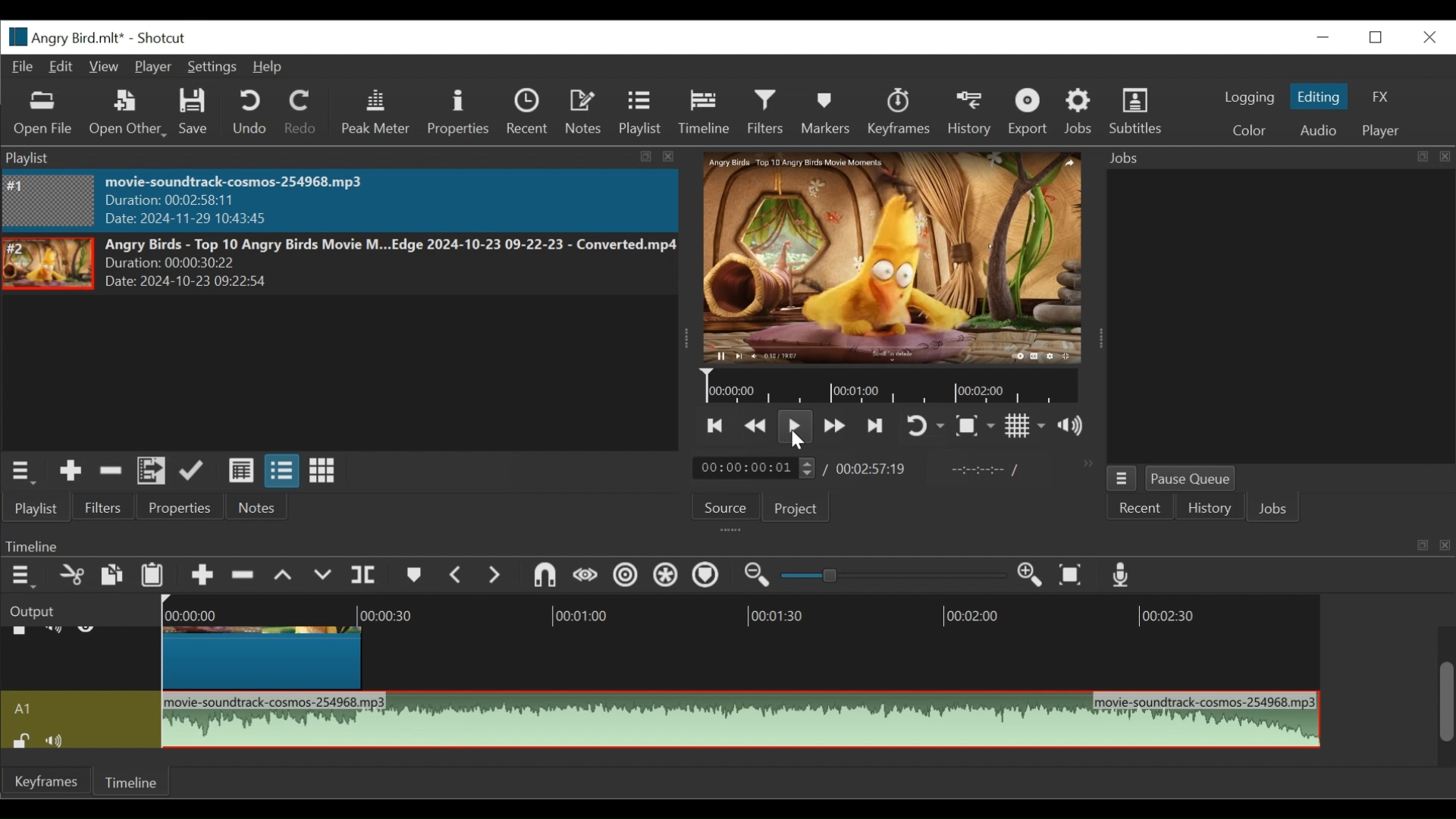  Describe the element at coordinates (196, 471) in the screenshot. I see `Update` at that location.